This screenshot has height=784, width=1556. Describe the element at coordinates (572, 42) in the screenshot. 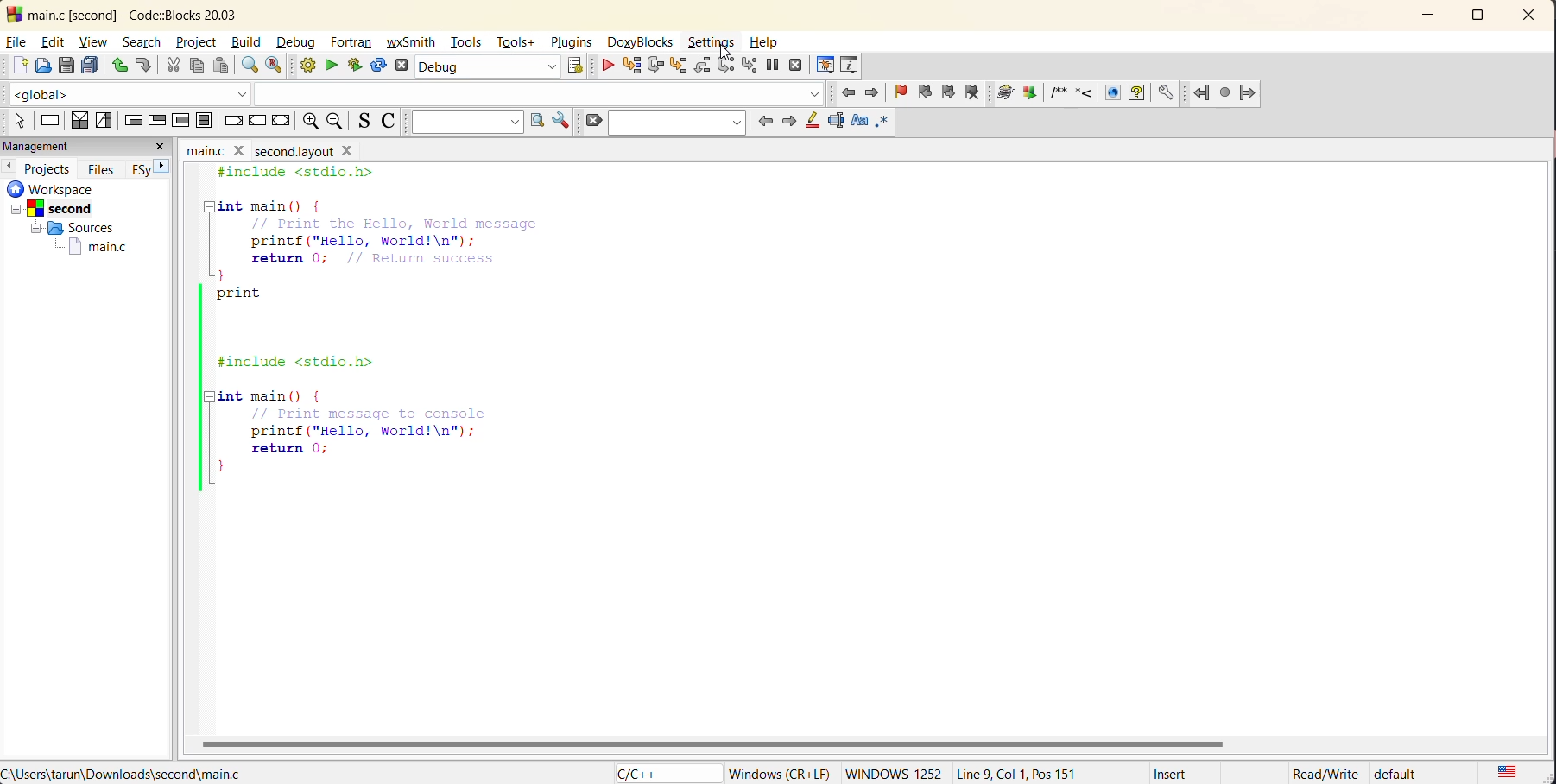

I see `plugins` at that location.